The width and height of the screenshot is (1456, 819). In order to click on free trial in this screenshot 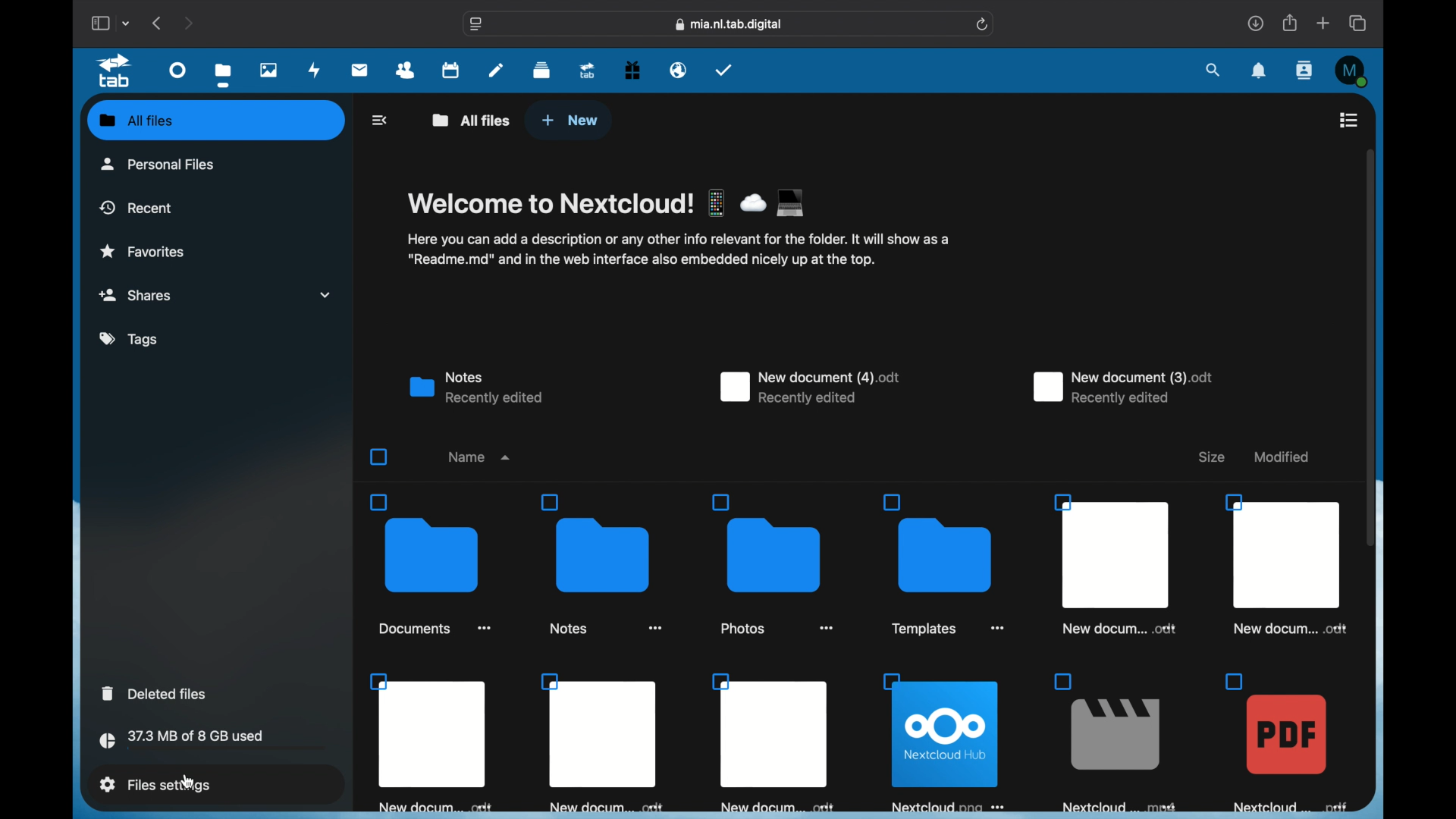, I will do `click(632, 69)`.